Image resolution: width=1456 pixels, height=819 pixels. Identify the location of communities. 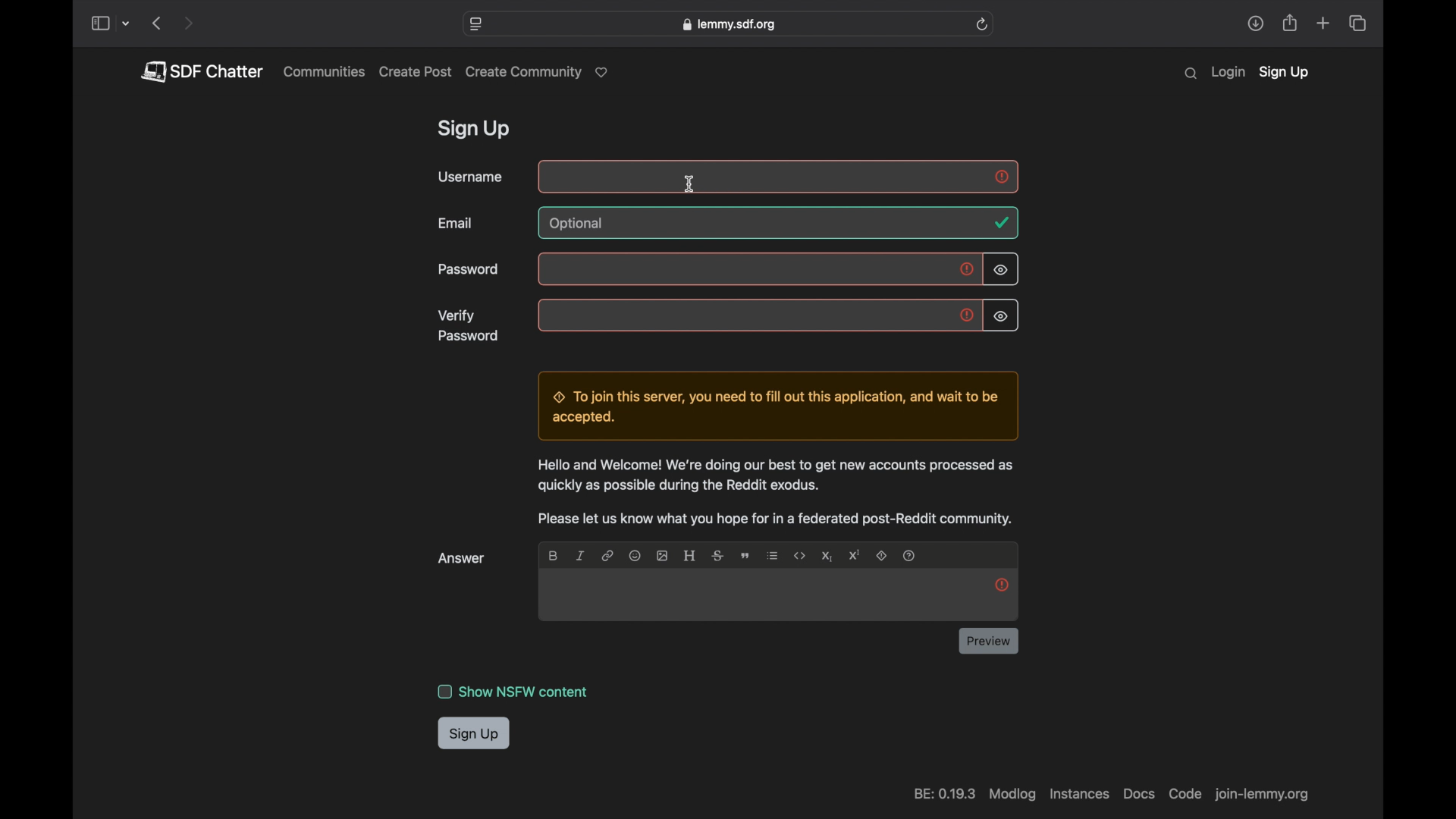
(325, 71).